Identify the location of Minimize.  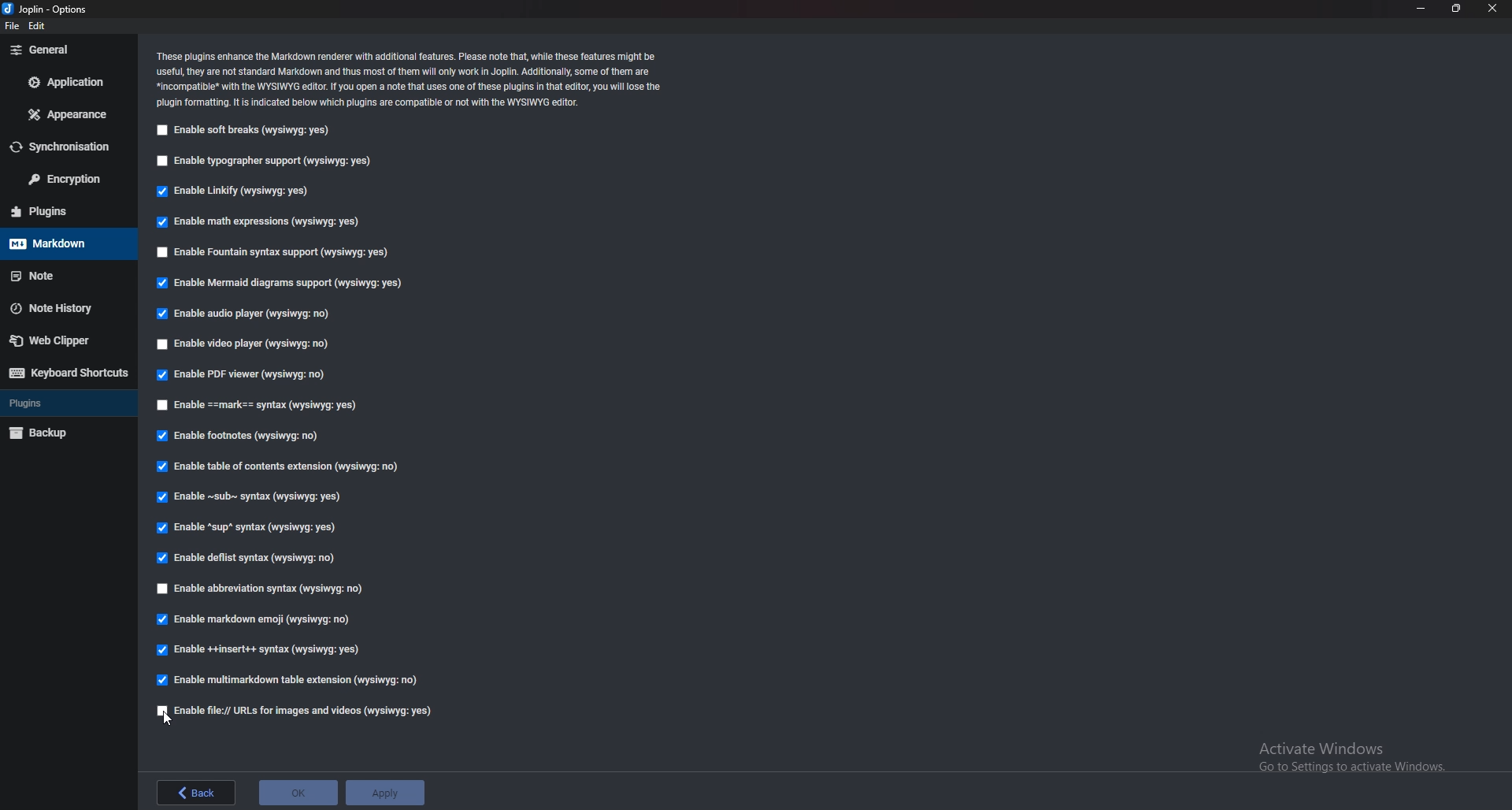
(1421, 10).